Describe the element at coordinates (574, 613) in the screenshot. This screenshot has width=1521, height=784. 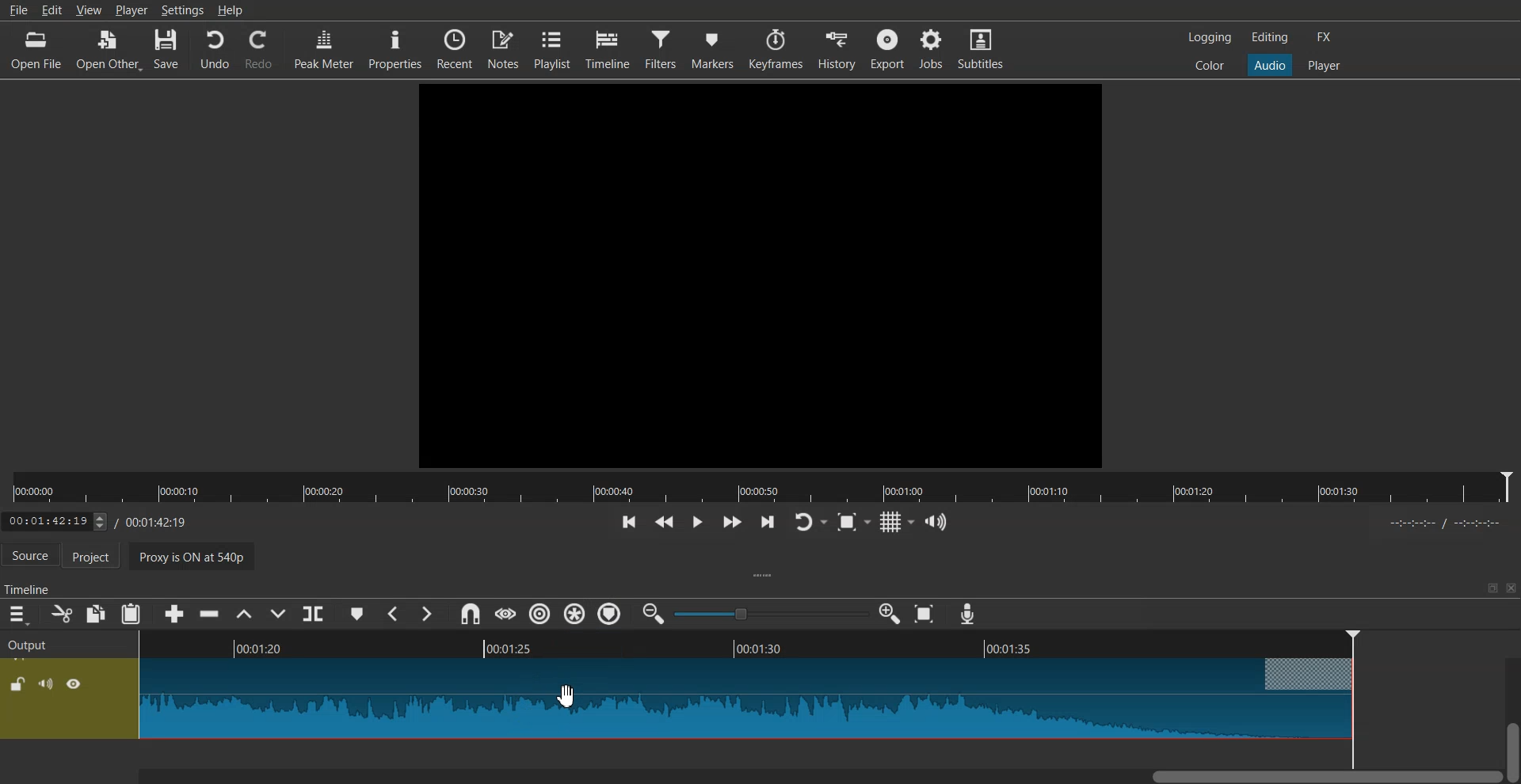
I see `Ripple all track` at that location.